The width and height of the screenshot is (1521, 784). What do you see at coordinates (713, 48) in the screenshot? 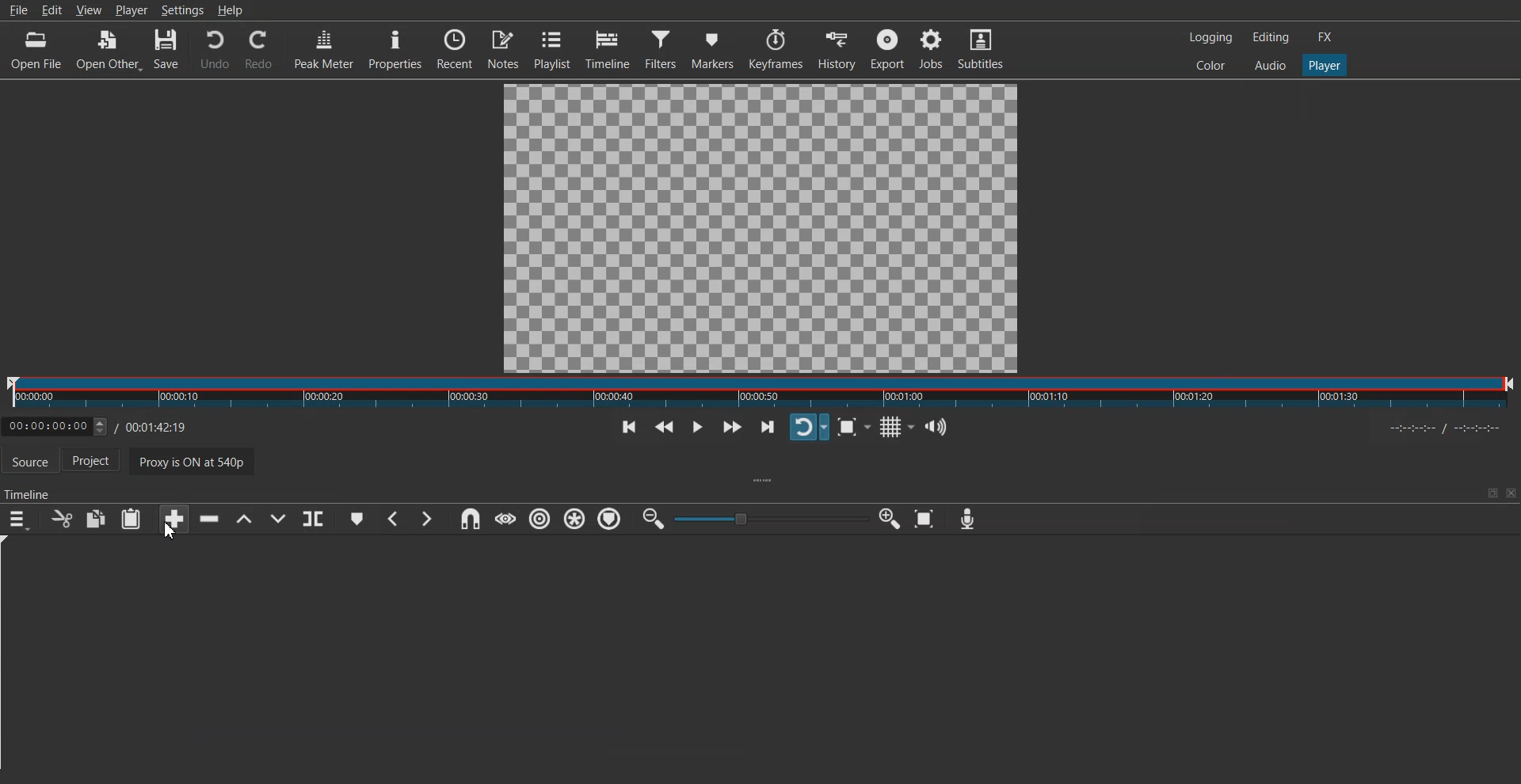
I see `Markers` at bounding box center [713, 48].